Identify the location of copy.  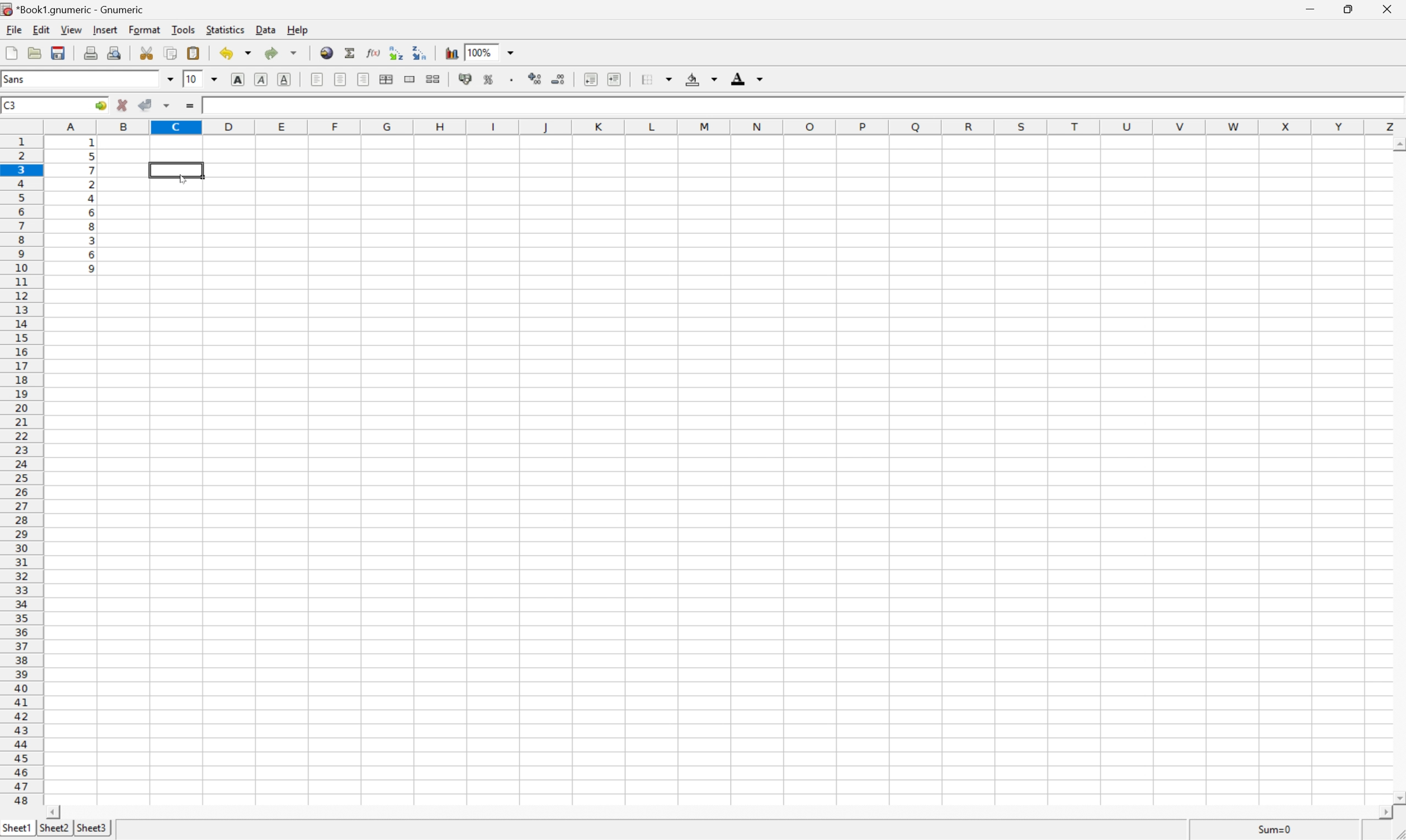
(170, 52).